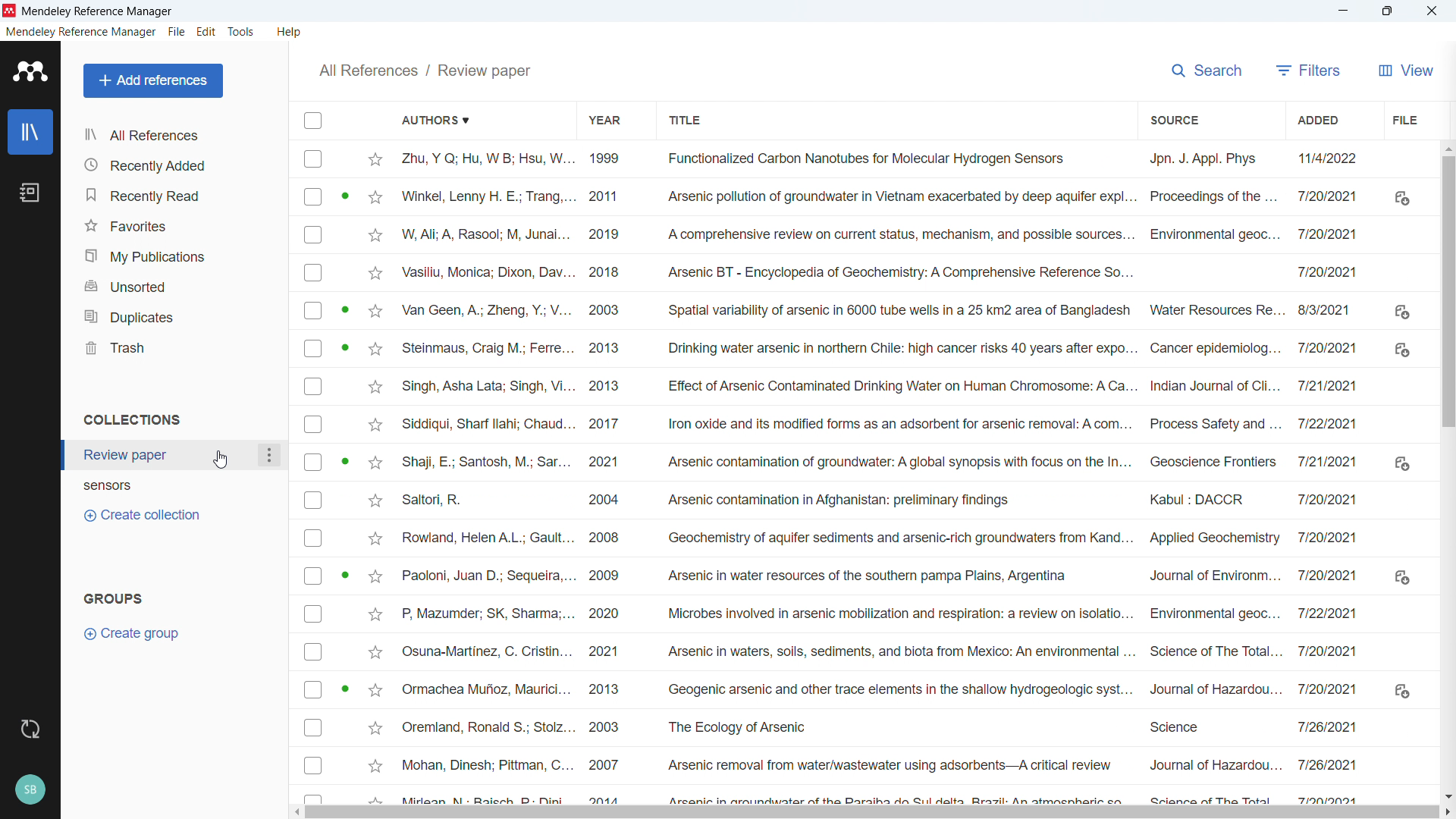  Describe the element at coordinates (117, 598) in the screenshot. I see `Groups ` at that location.